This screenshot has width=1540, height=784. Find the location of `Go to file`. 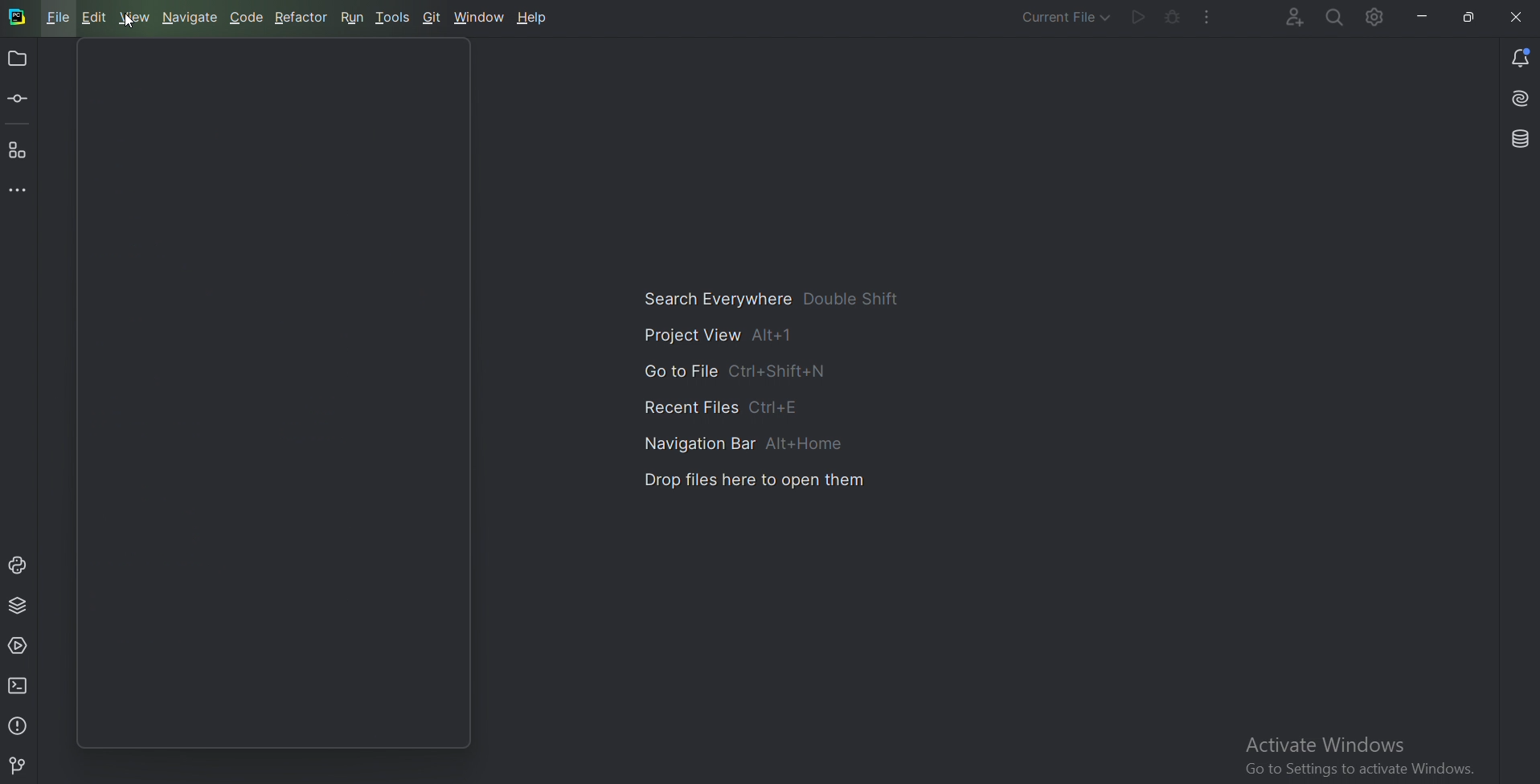

Go to file is located at coordinates (735, 370).